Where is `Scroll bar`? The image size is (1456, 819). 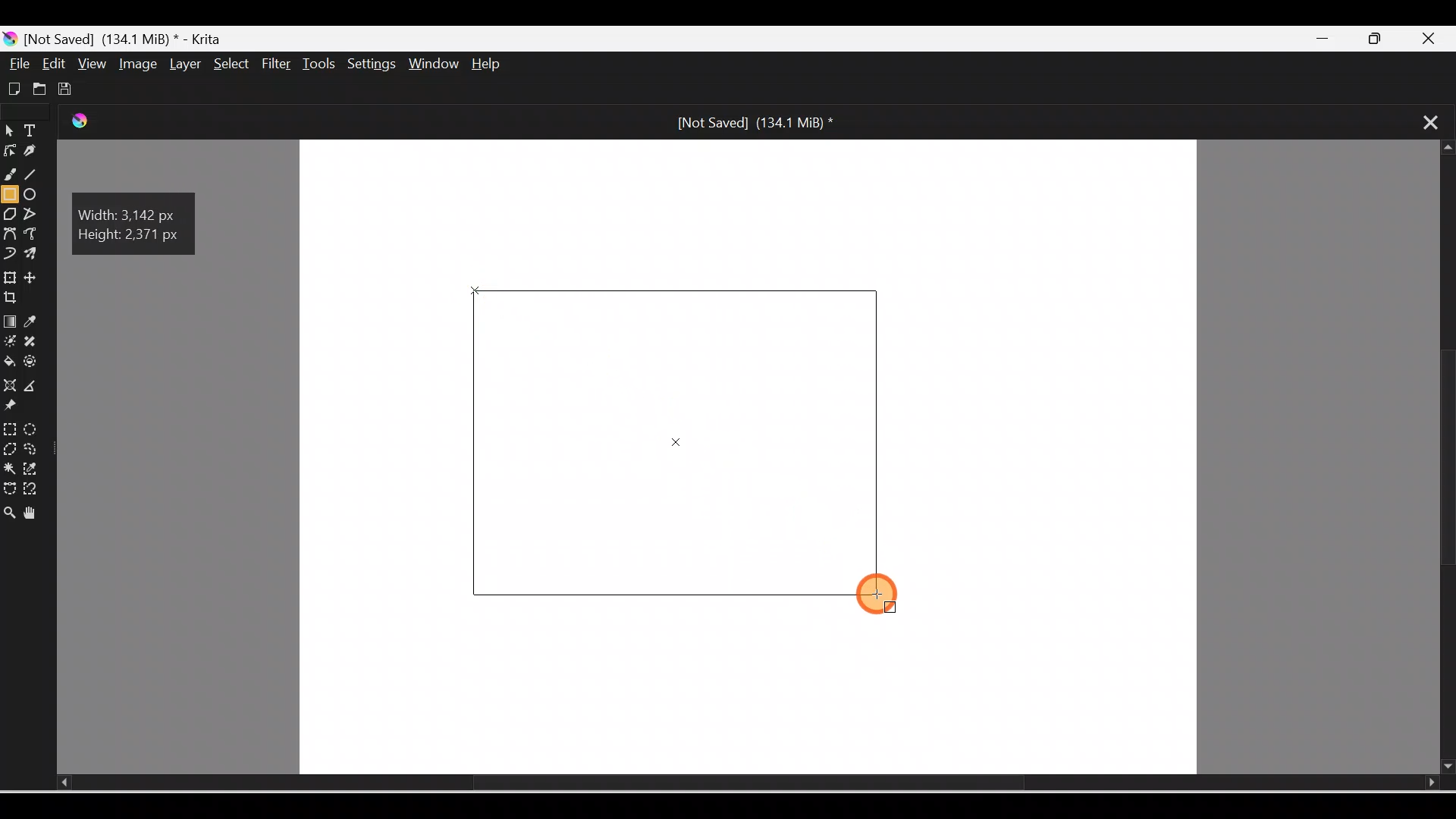
Scroll bar is located at coordinates (725, 783).